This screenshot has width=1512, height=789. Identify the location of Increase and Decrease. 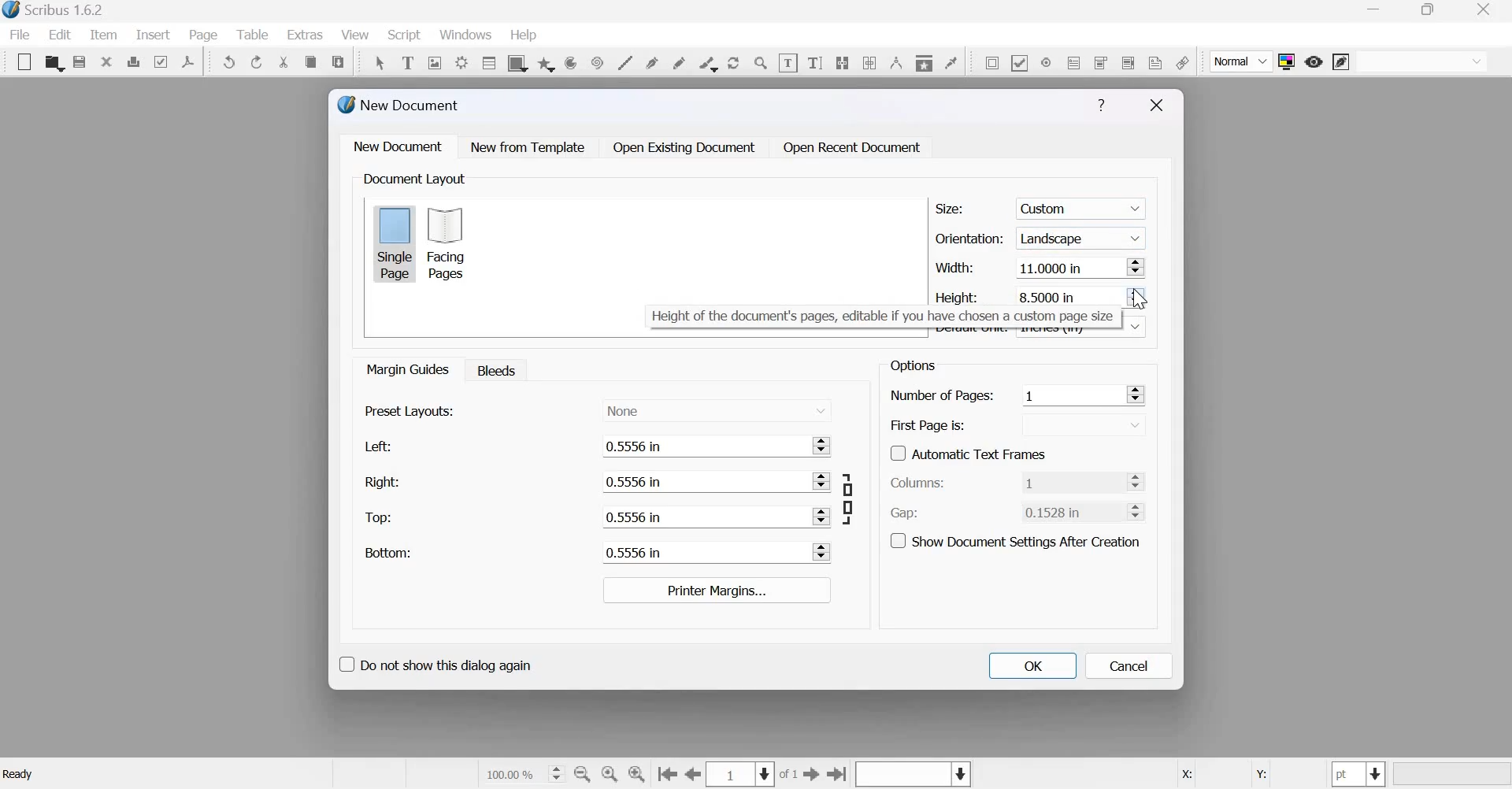
(823, 552).